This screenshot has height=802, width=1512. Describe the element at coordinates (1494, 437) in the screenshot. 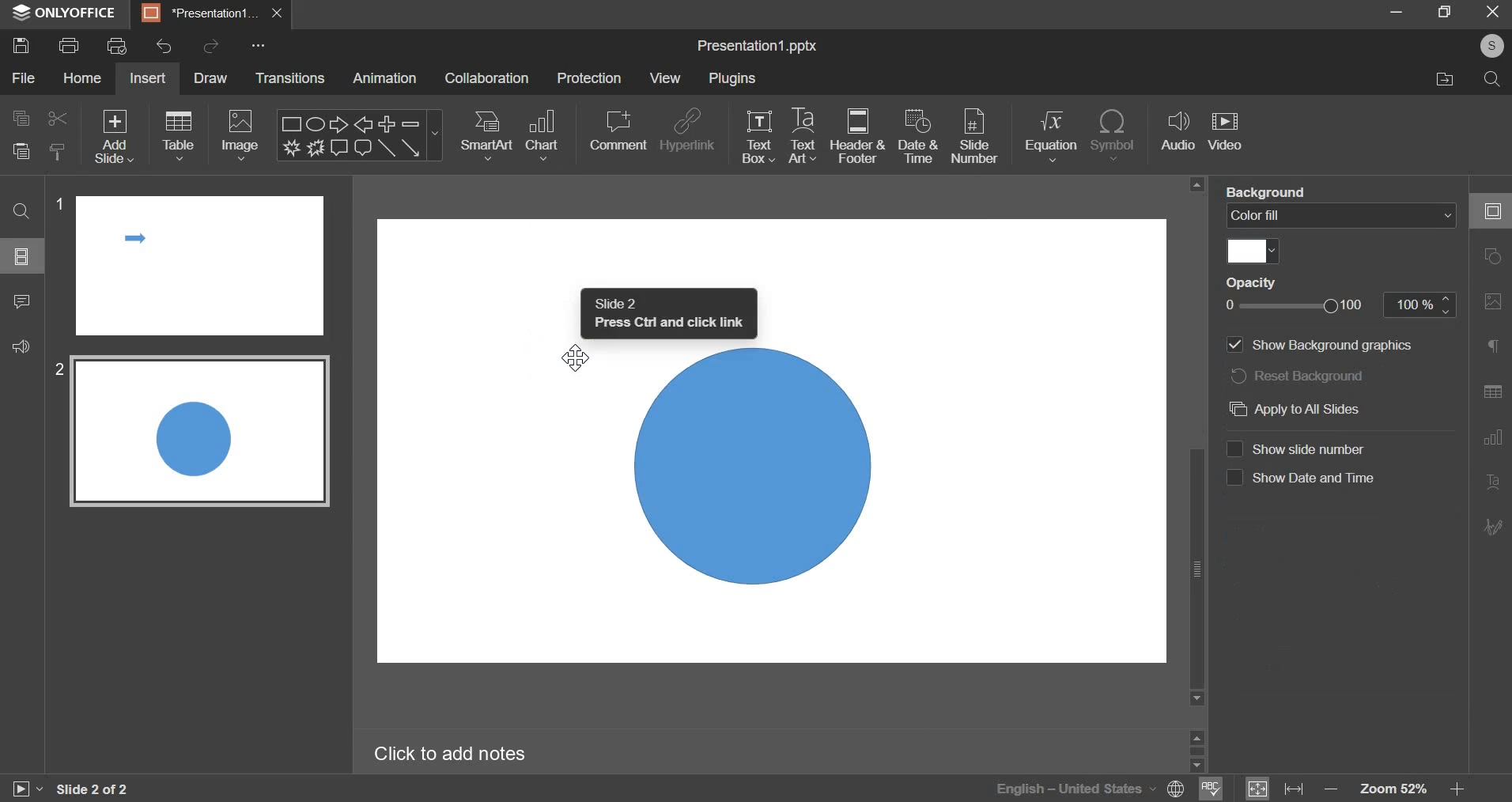

I see `Chart settings` at that location.